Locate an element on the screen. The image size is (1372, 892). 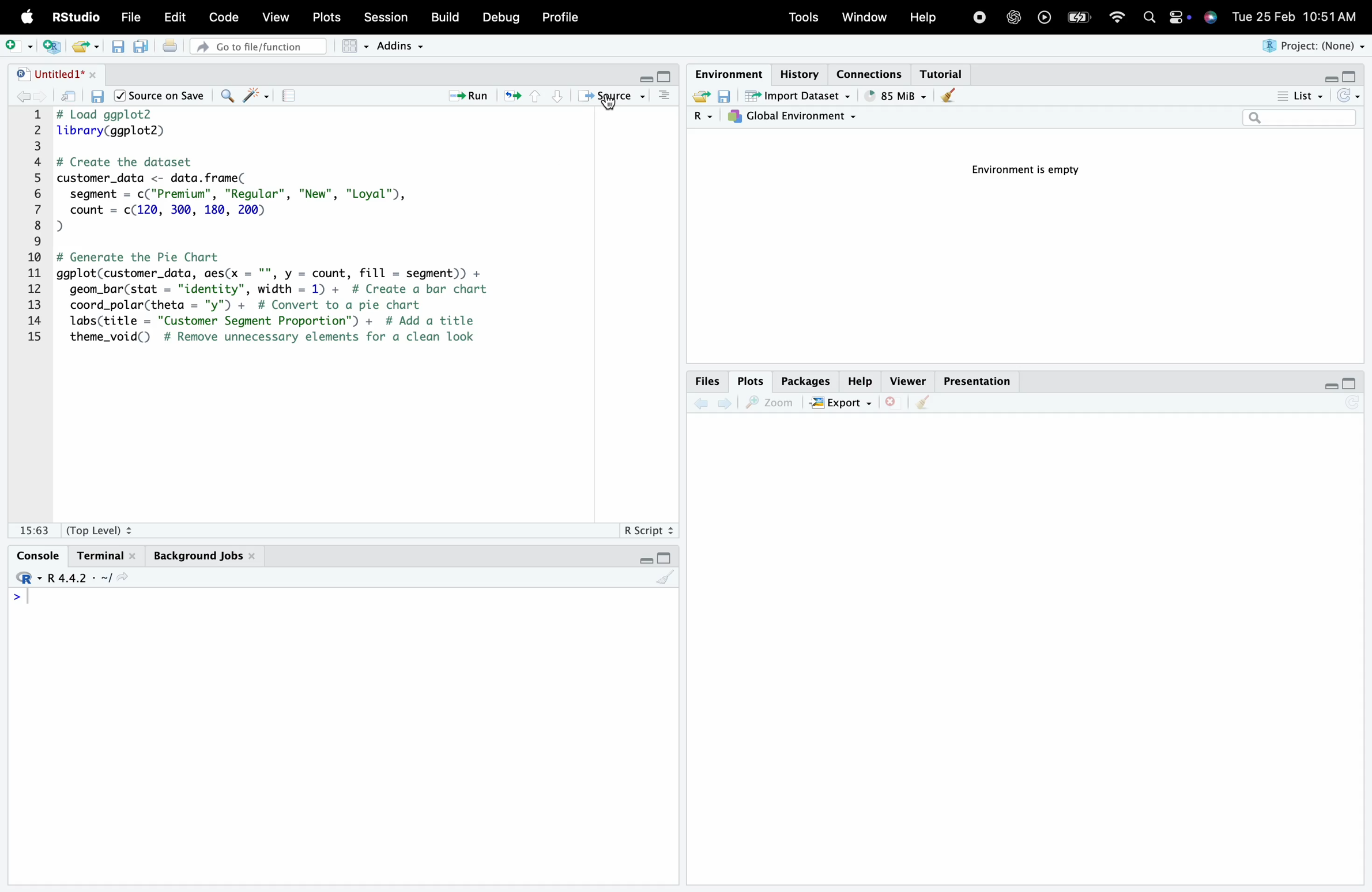
back is located at coordinates (702, 406).